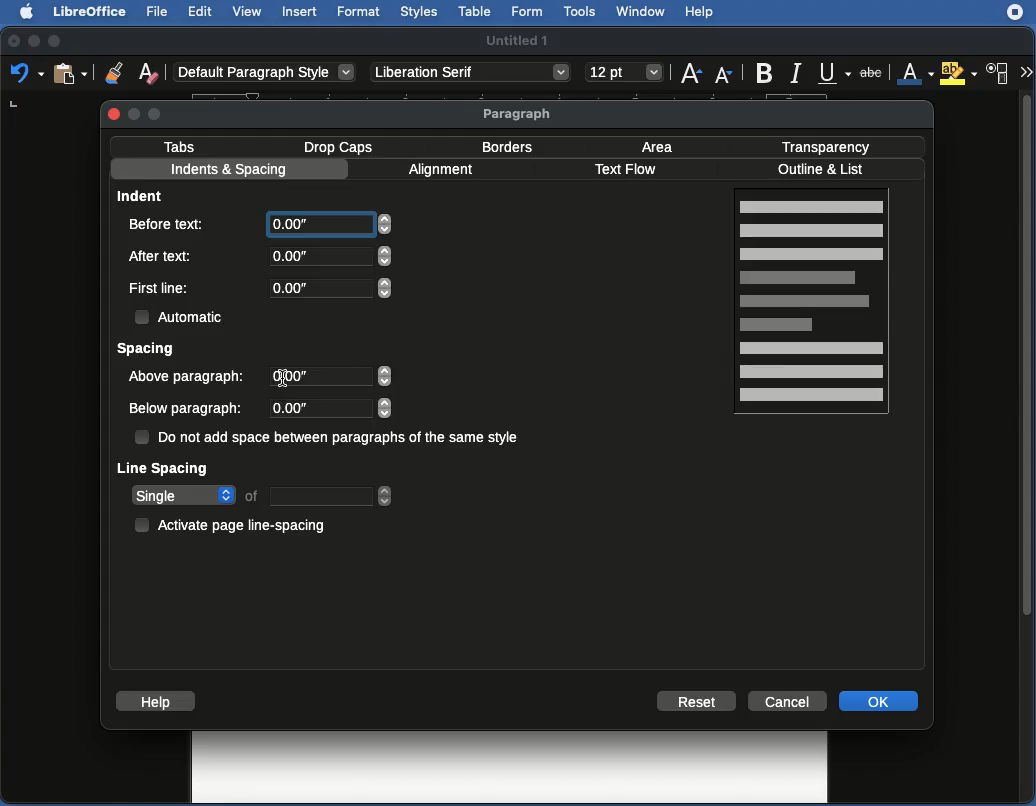 The width and height of the screenshot is (1036, 806). What do you see at coordinates (960, 73) in the screenshot?
I see `Highlighting` at bounding box center [960, 73].